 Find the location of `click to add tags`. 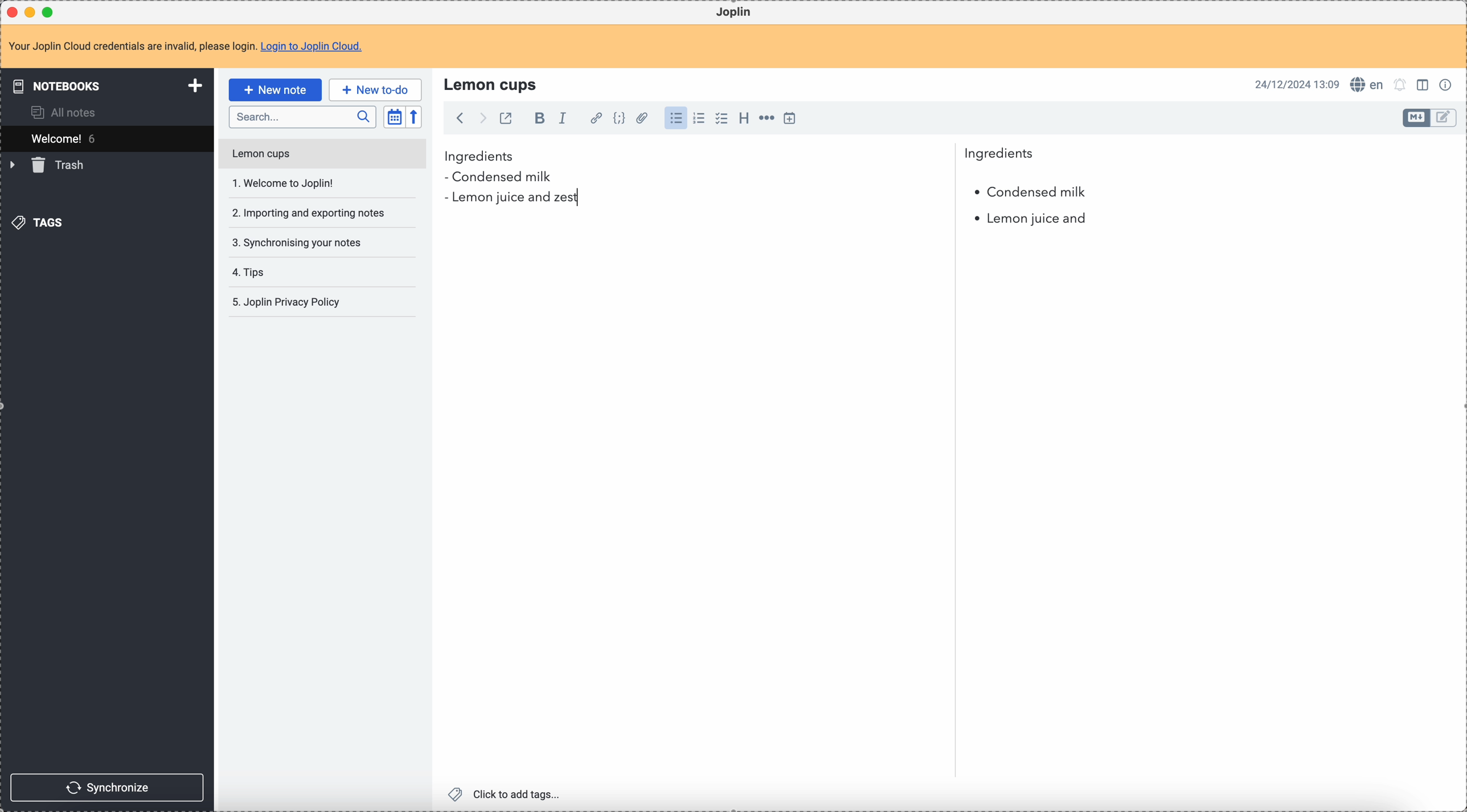

click to add tags is located at coordinates (507, 793).